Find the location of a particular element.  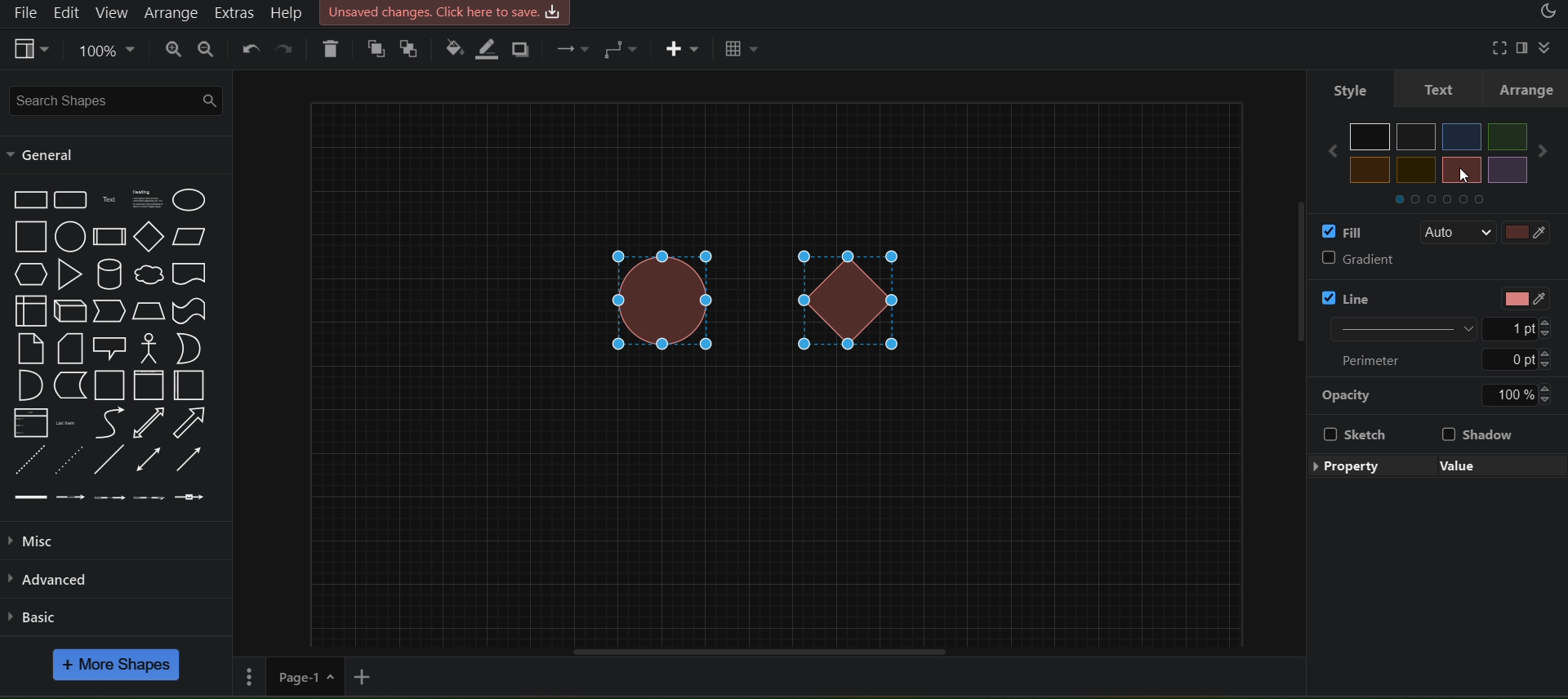

Document is located at coordinates (189, 274).